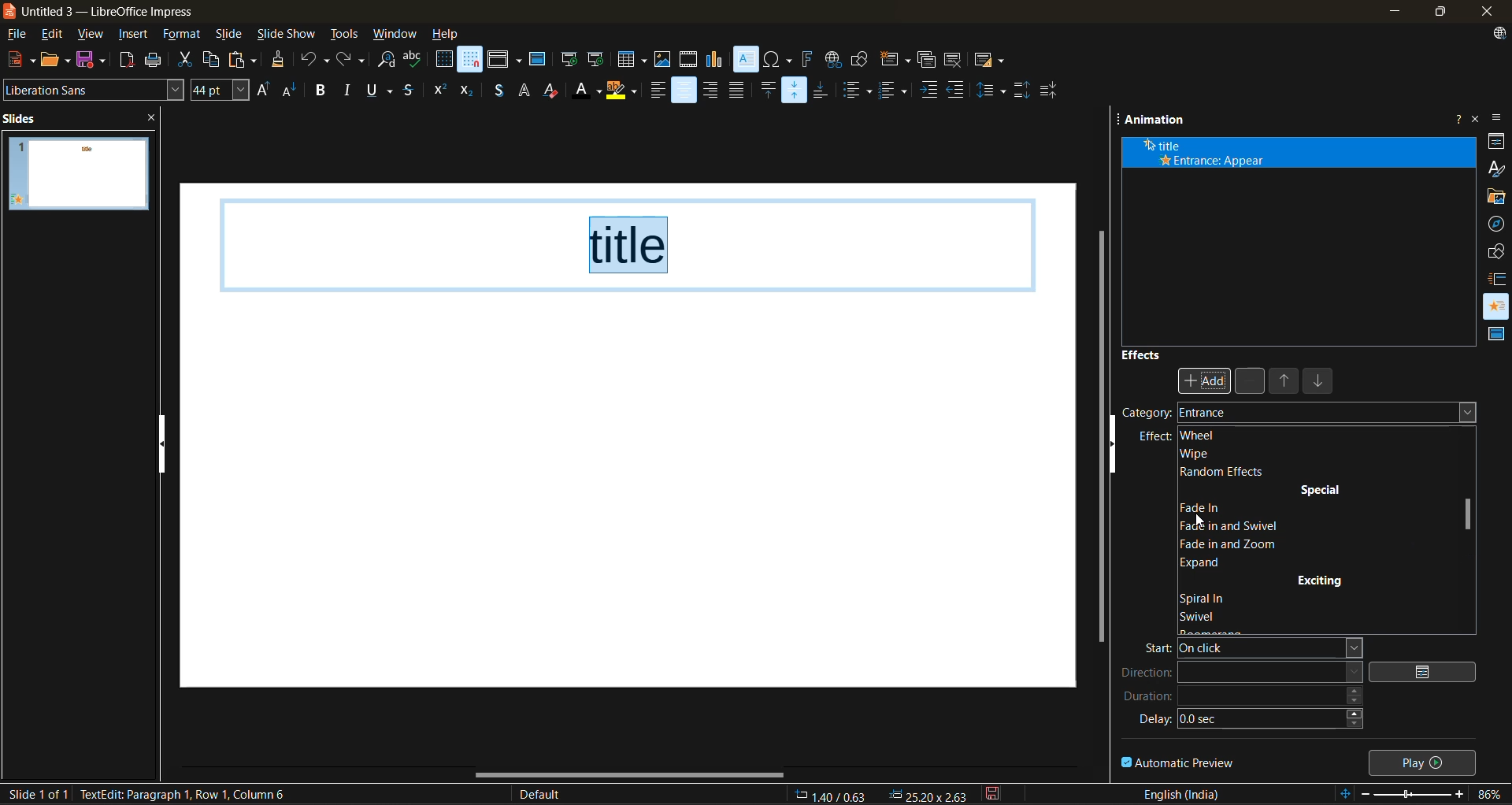  What do you see at coordinates (291, 93) in the screenshot?
I see `decrease font size` at bounding box center [291, 93].